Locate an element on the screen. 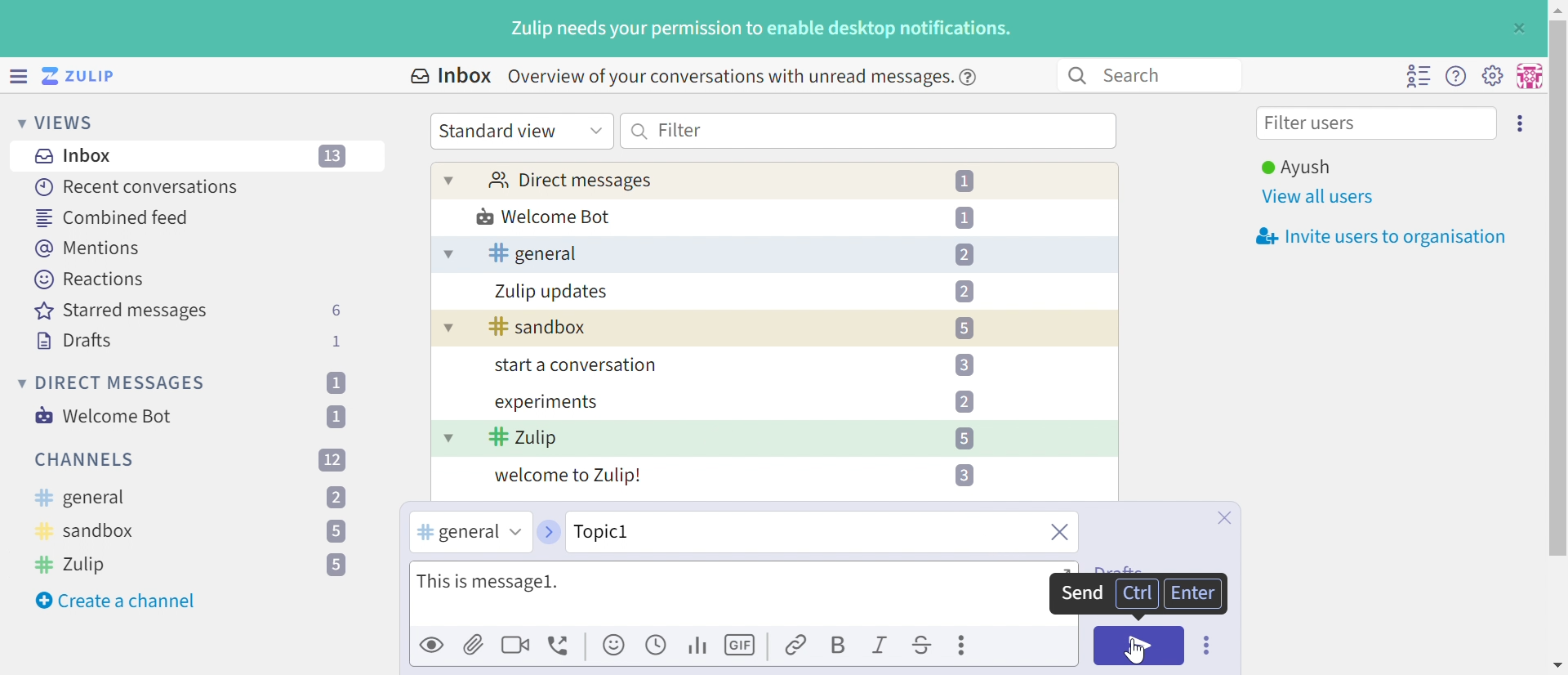 This screenshot has height=675, width=1568. 1 is located at coordinates (964, 217).